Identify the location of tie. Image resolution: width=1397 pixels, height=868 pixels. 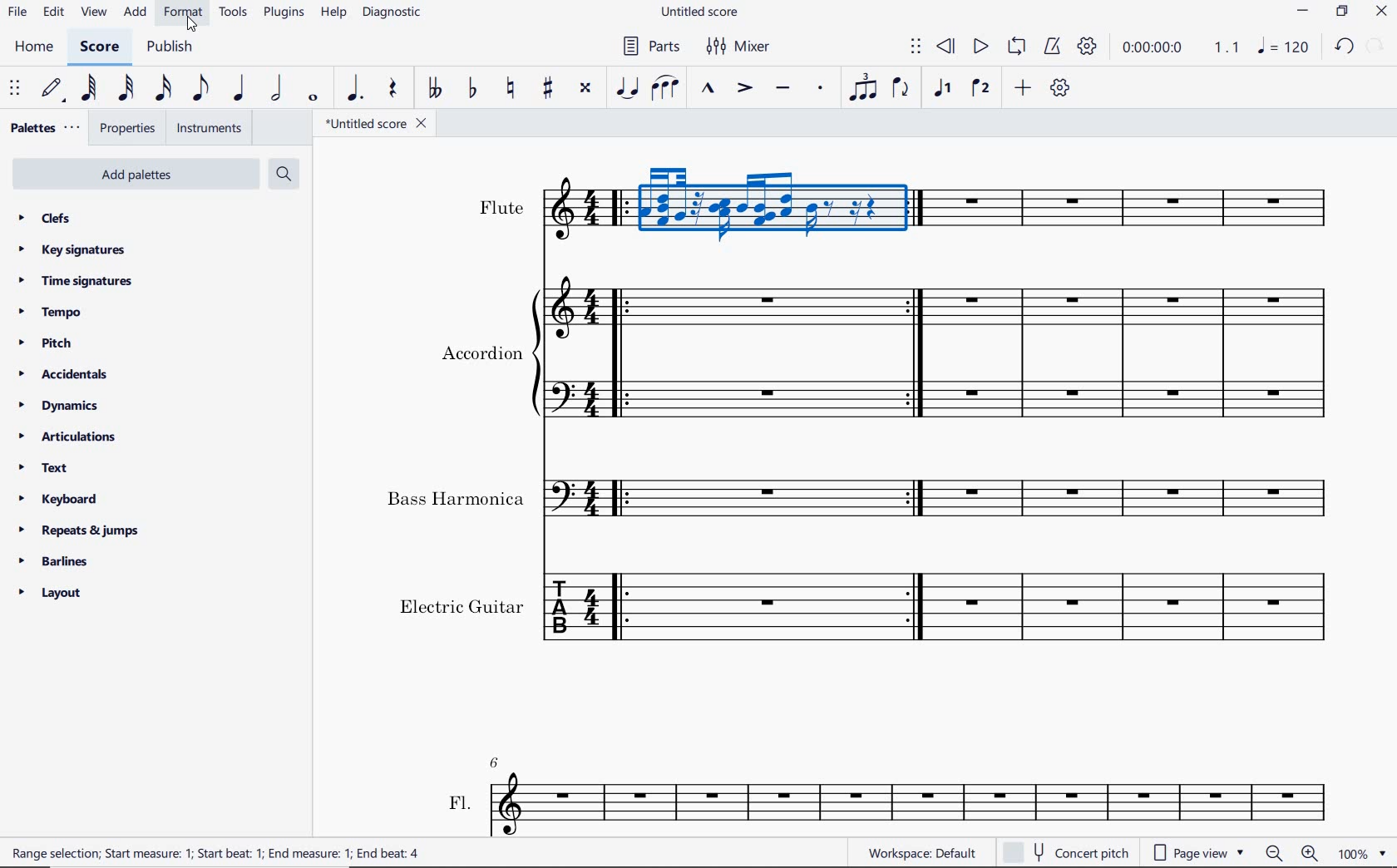
(628, 88).